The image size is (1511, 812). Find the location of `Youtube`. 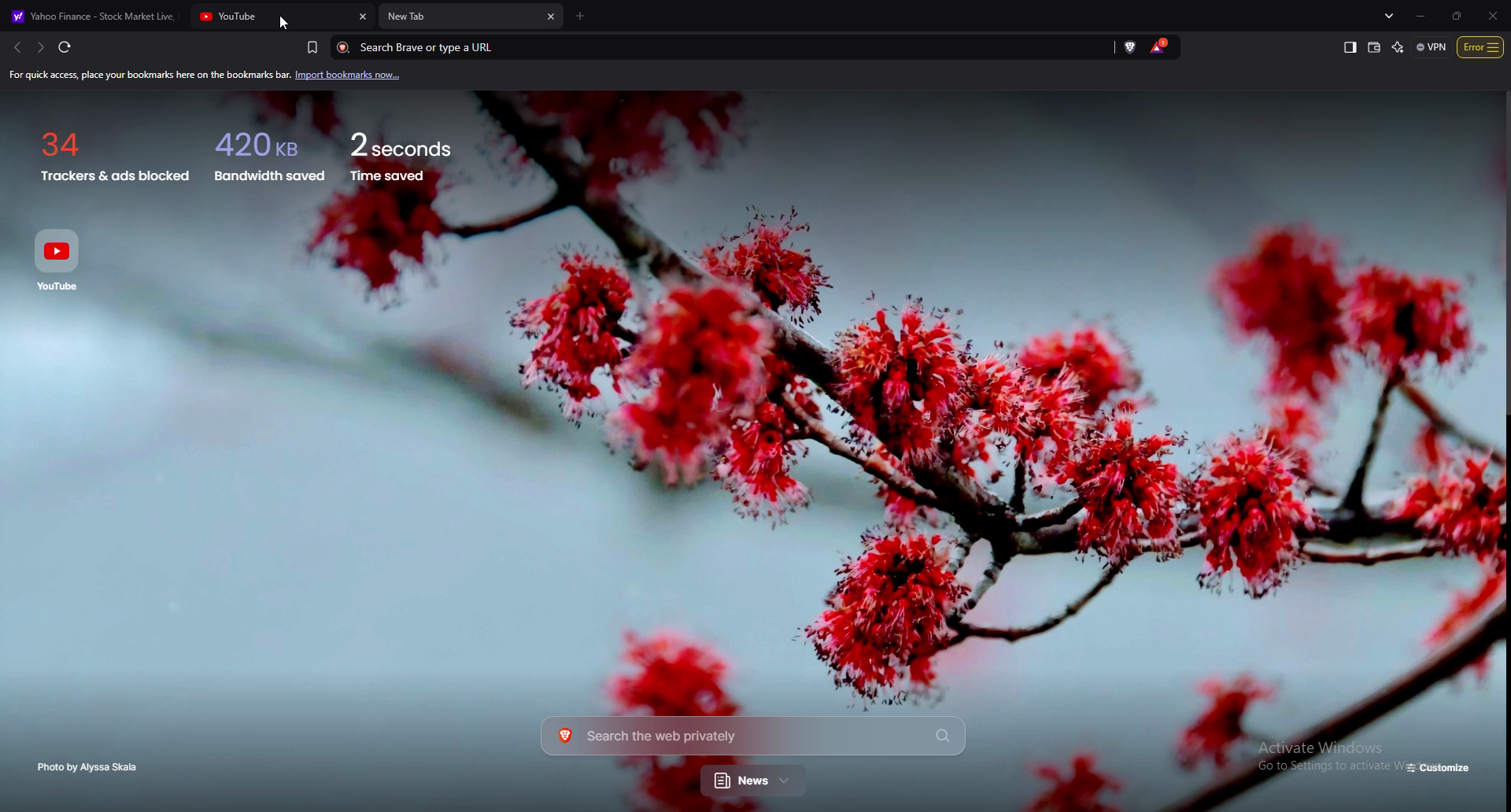

Youtube is located at coordinates (62, 259).